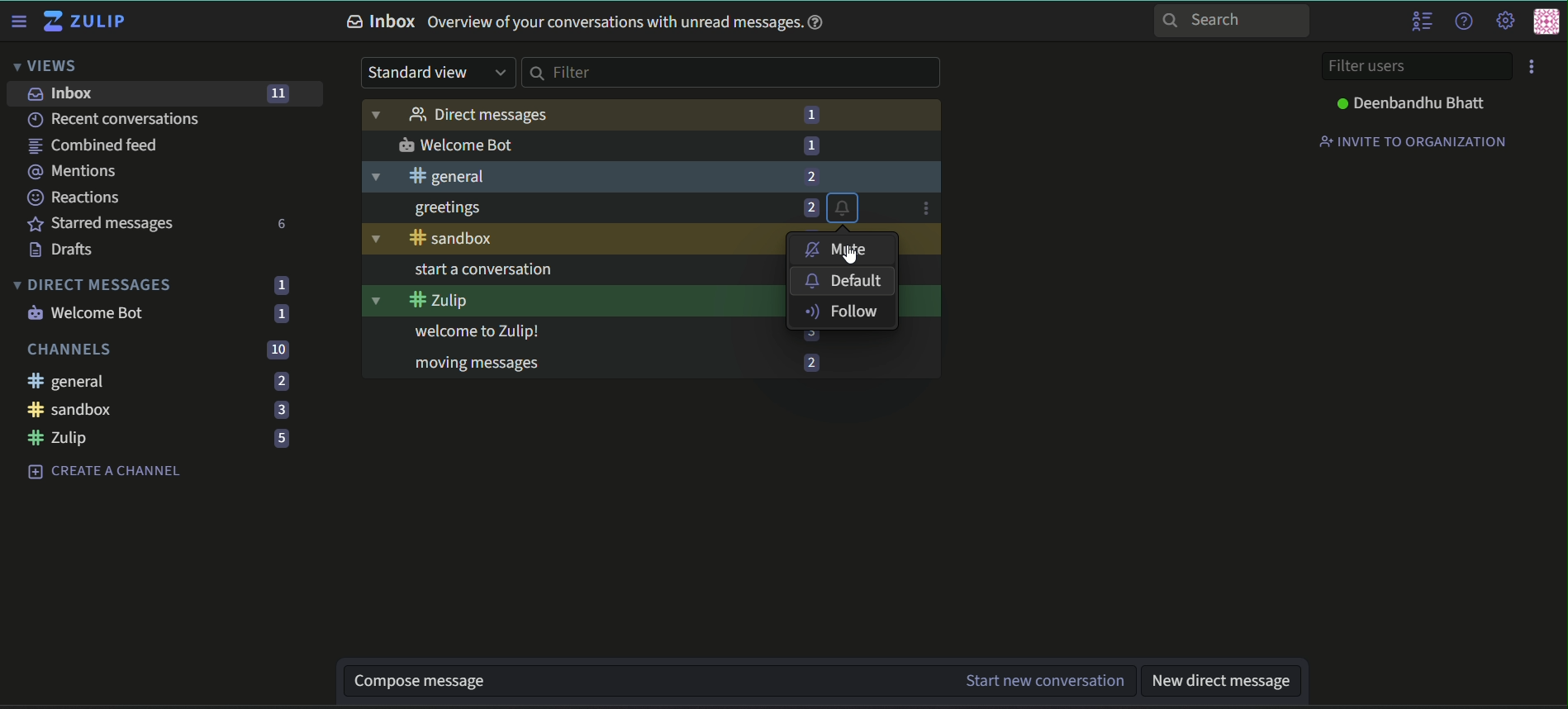 This screenshot has width=1568, height=709. I want to click on Views, so click(46, 64).